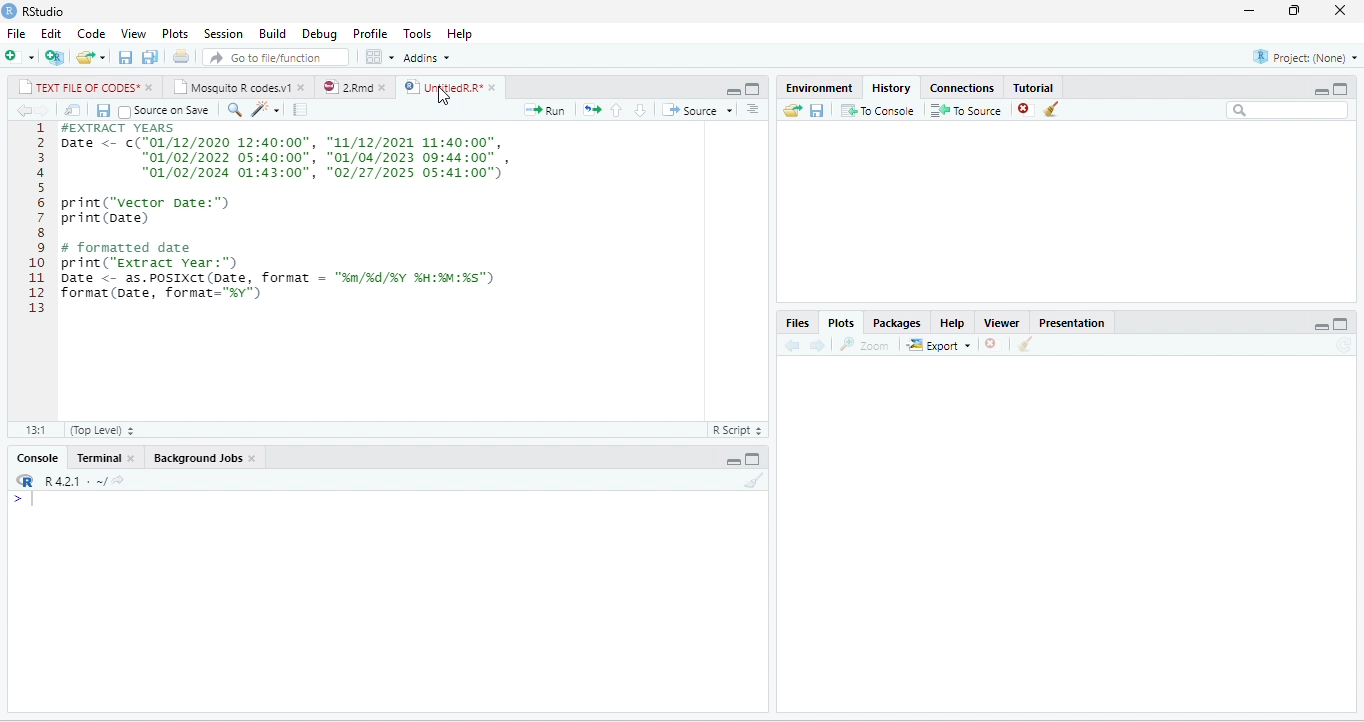 Image resolution: width=1364 pixels, height=722 pixels. What do you see at coordinates (321, 34) in the screenshot?
I see `Debug` at bounding box center [321, 34].